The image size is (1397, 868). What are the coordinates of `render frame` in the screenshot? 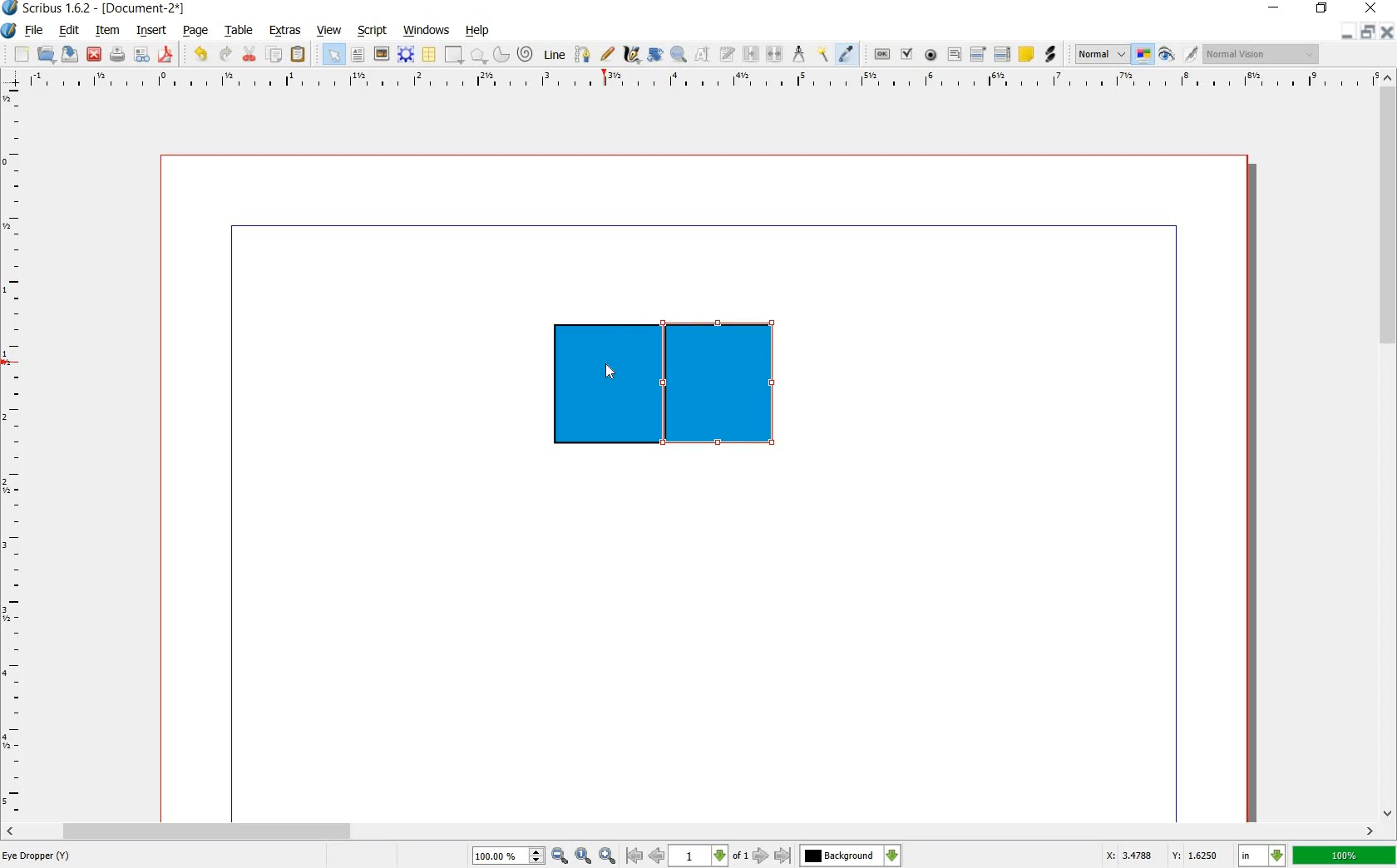 It's located at (406, 55).